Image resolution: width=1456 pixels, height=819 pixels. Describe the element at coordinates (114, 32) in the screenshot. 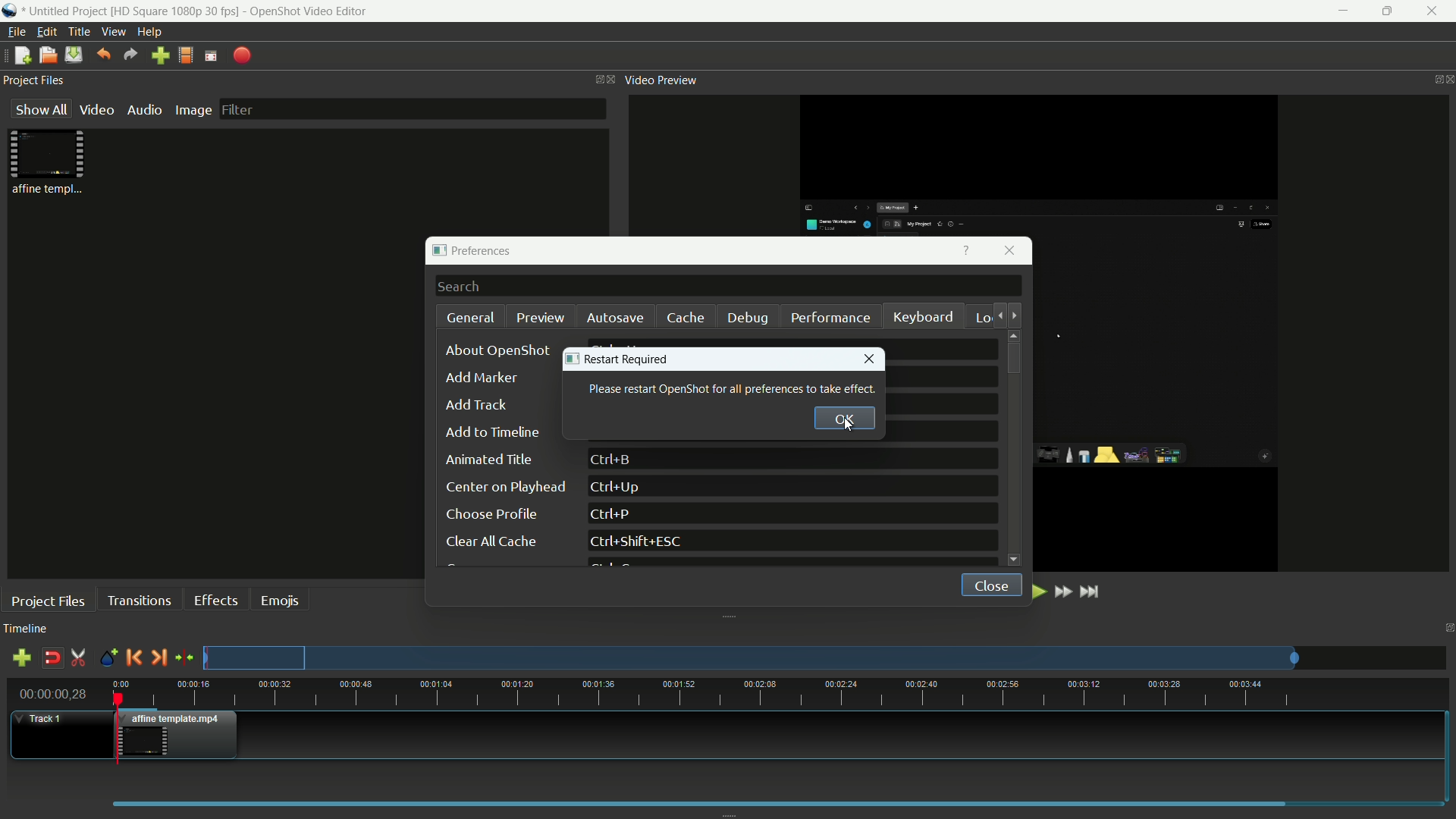

I see `view menu` at that location.